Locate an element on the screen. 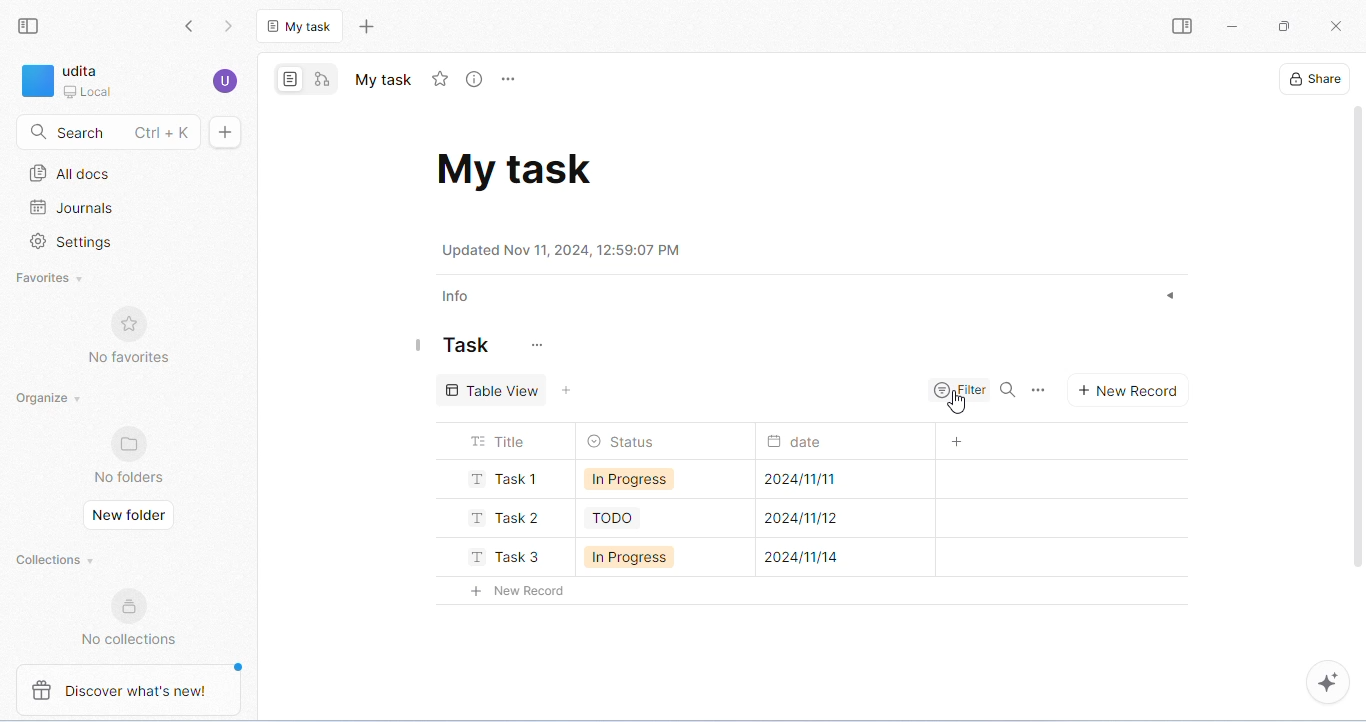  submission date for task3 is located at coordinates (804, 558).